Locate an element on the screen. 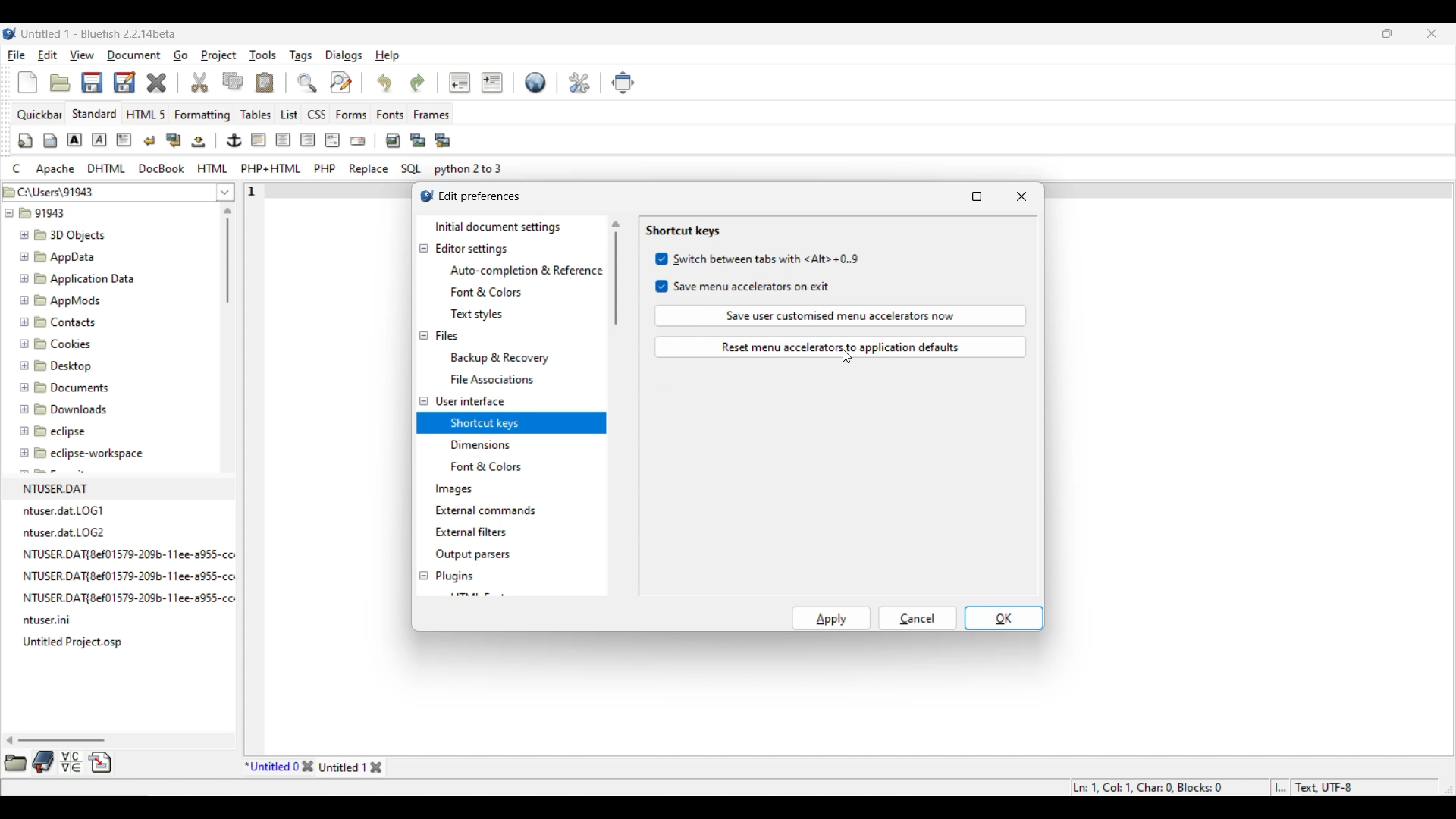  Copy is located at coordinates (233, 81).